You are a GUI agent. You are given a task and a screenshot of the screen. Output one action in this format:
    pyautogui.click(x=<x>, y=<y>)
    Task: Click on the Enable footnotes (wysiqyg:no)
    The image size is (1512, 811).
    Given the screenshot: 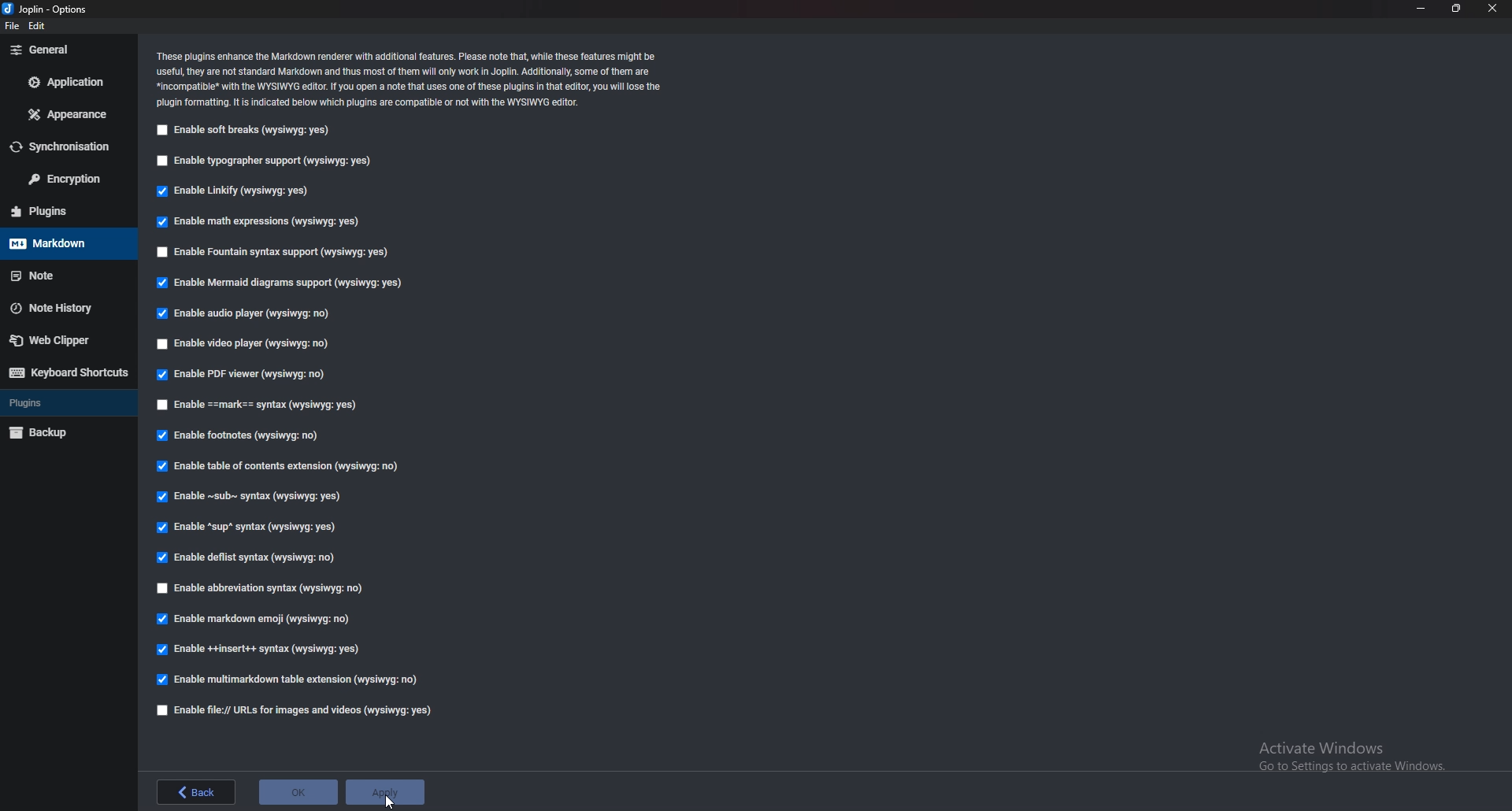 What is the action you would take?
    pyautogui.click(x=236, y=435)
    